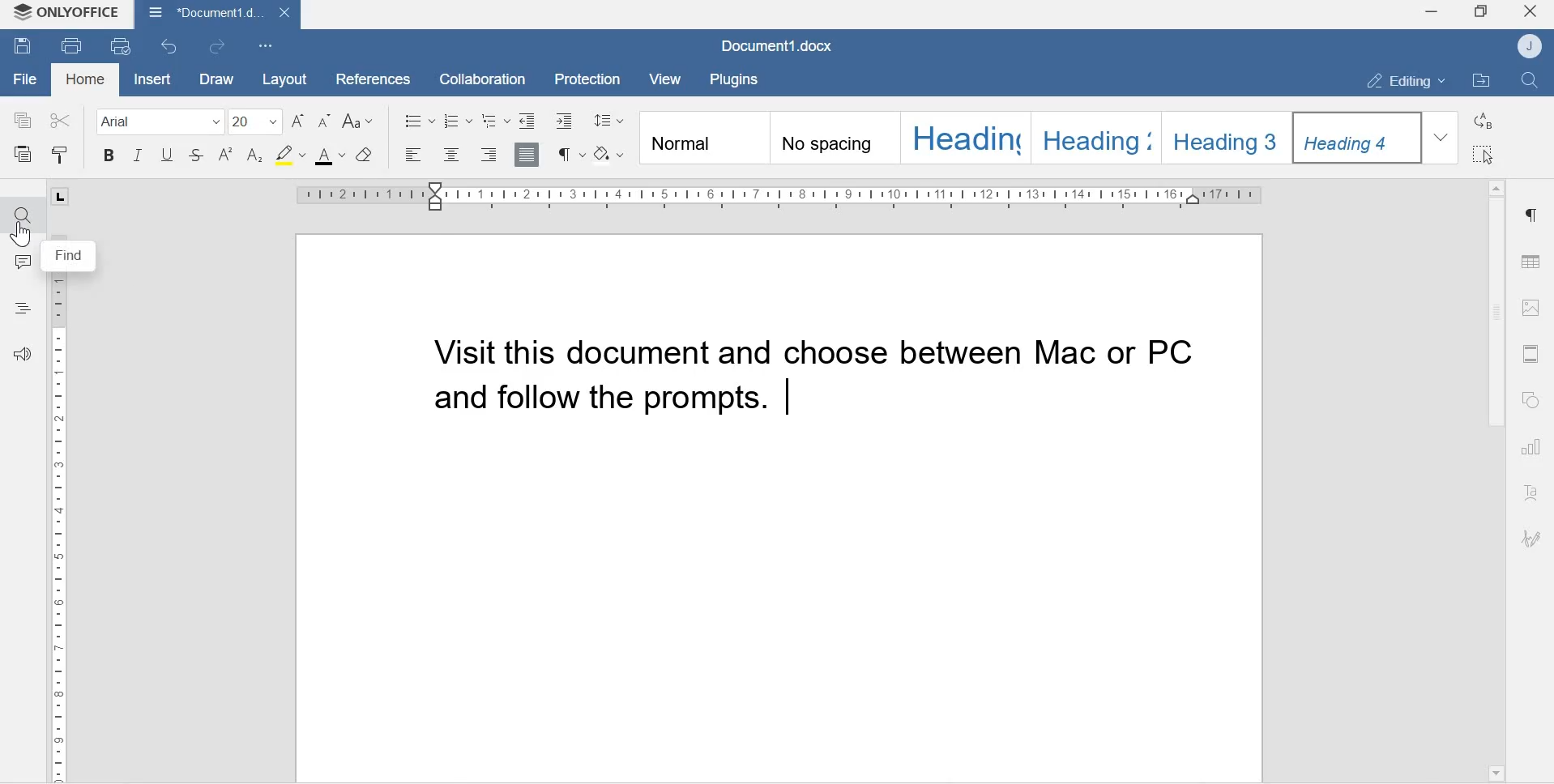  I want to click on References, so click(367, 77).